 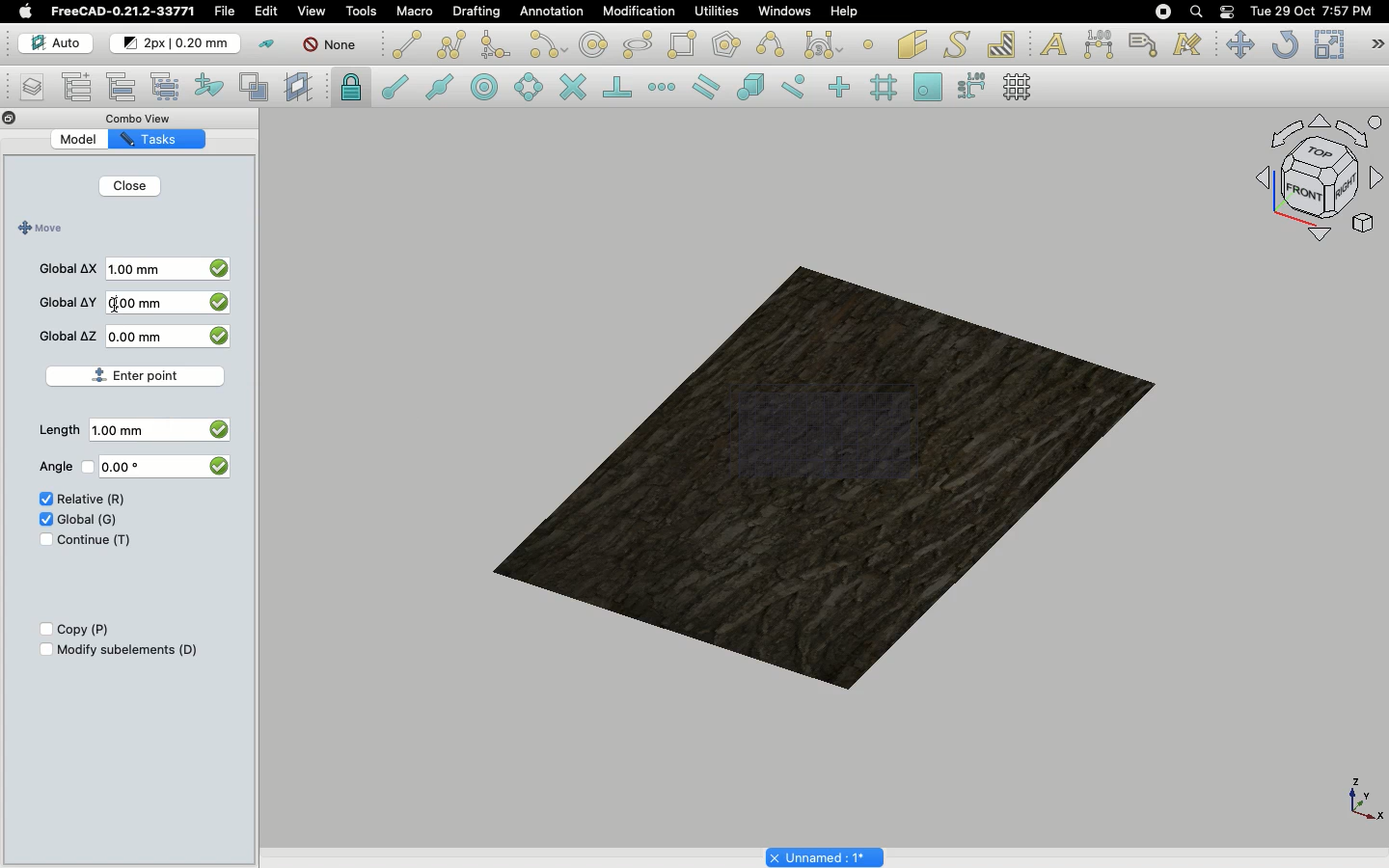 I want to click on Continue , so click(x=95, y=540).